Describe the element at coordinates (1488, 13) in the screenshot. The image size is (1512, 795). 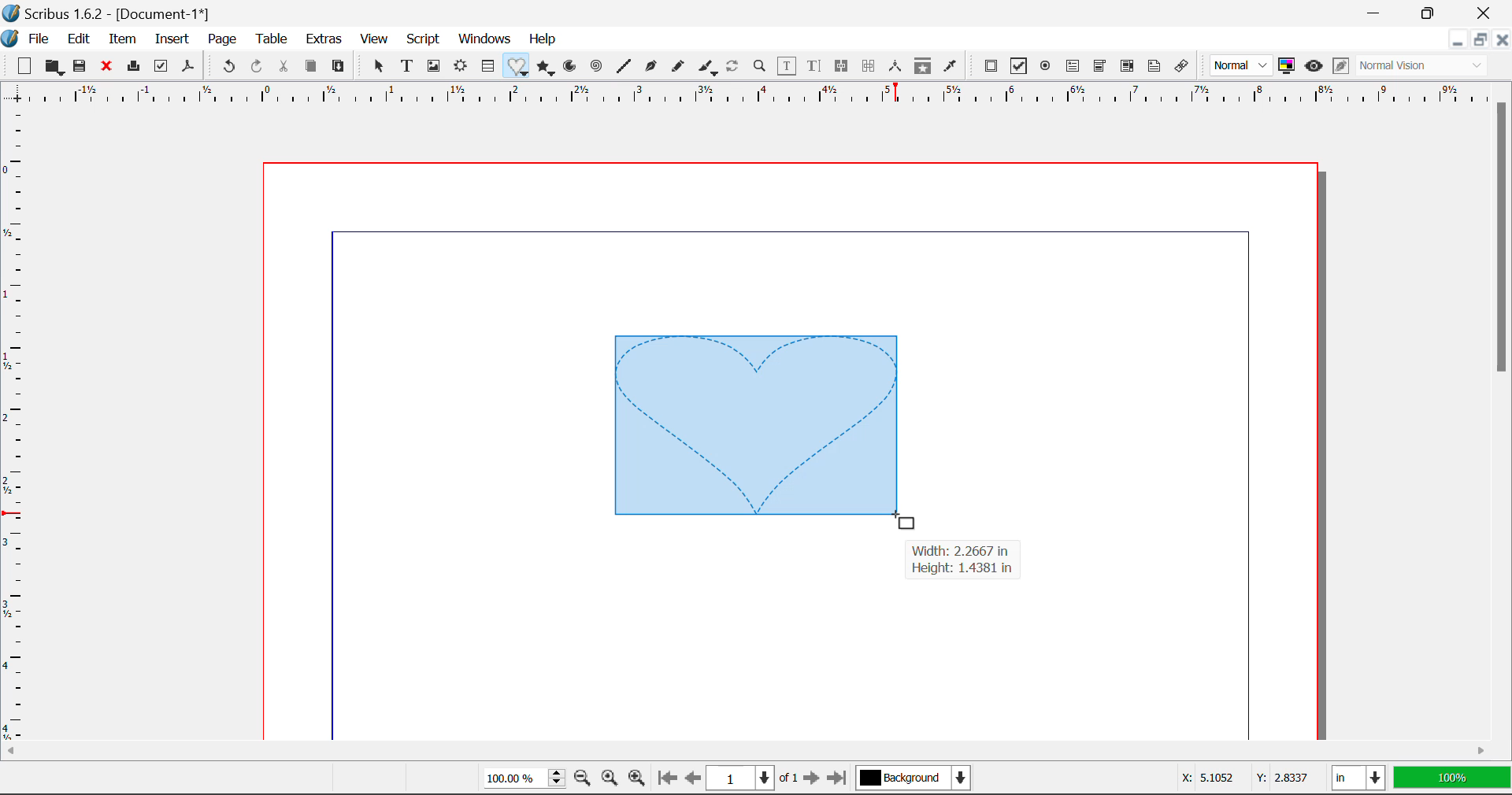
I see `Close` at that location.